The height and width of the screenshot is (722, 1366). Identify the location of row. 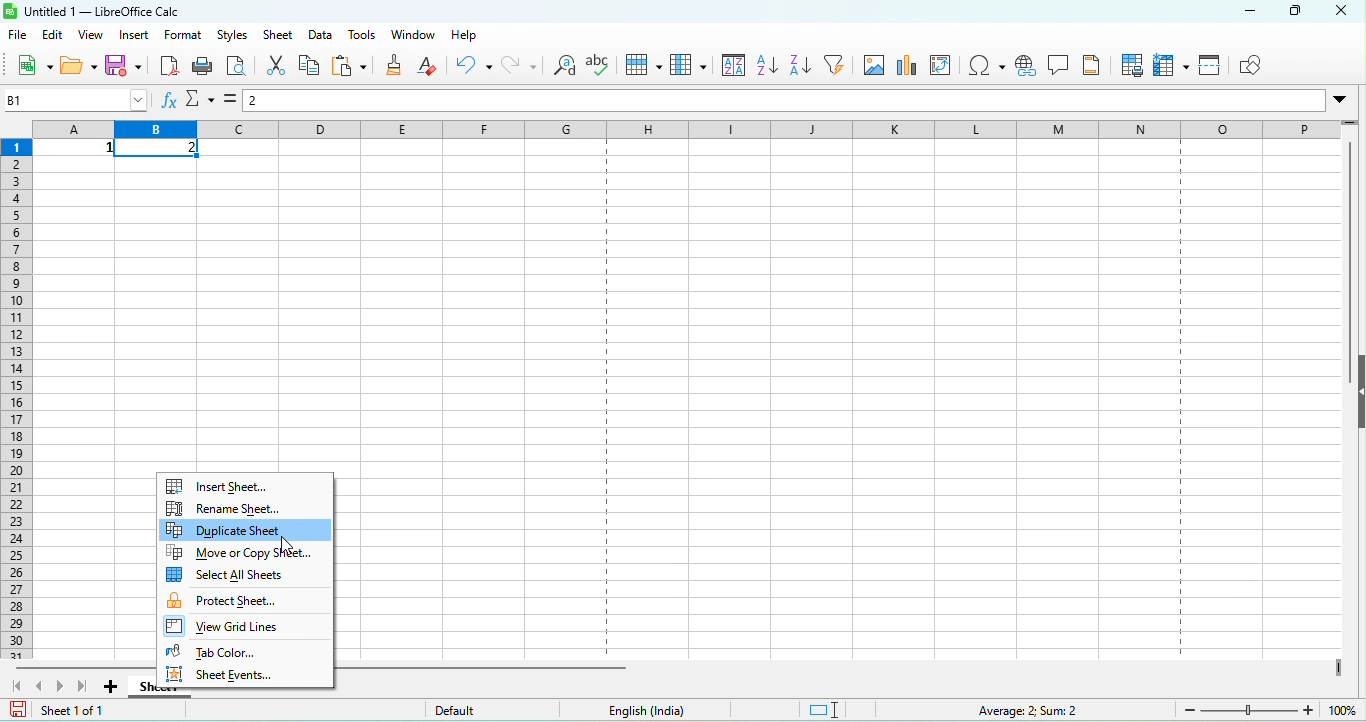
(643, 68).